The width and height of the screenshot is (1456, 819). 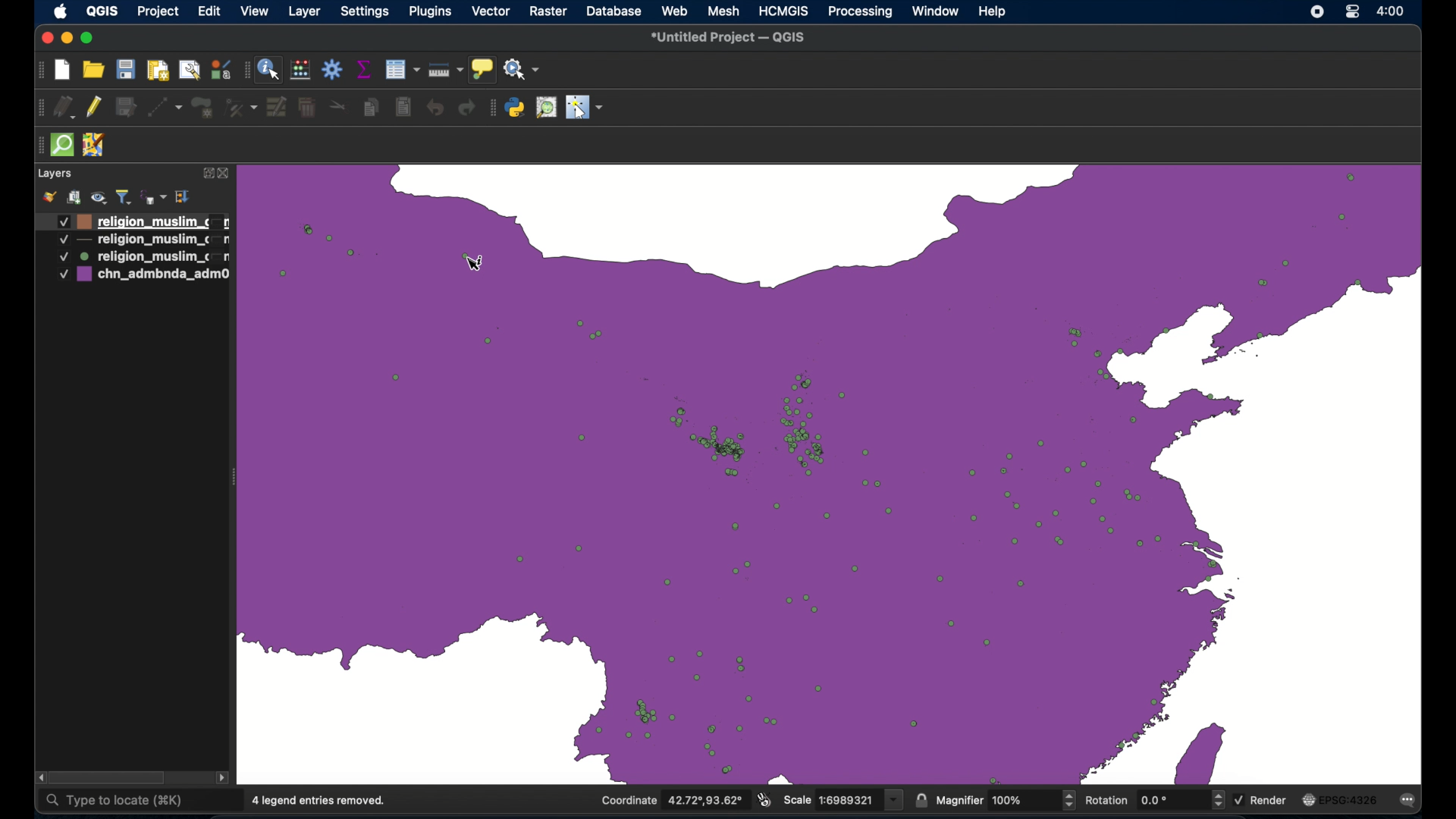 What do you see at coordinates (143, 276) in the screenshot?
I see `layer 4` at bounding box center [143, 276].